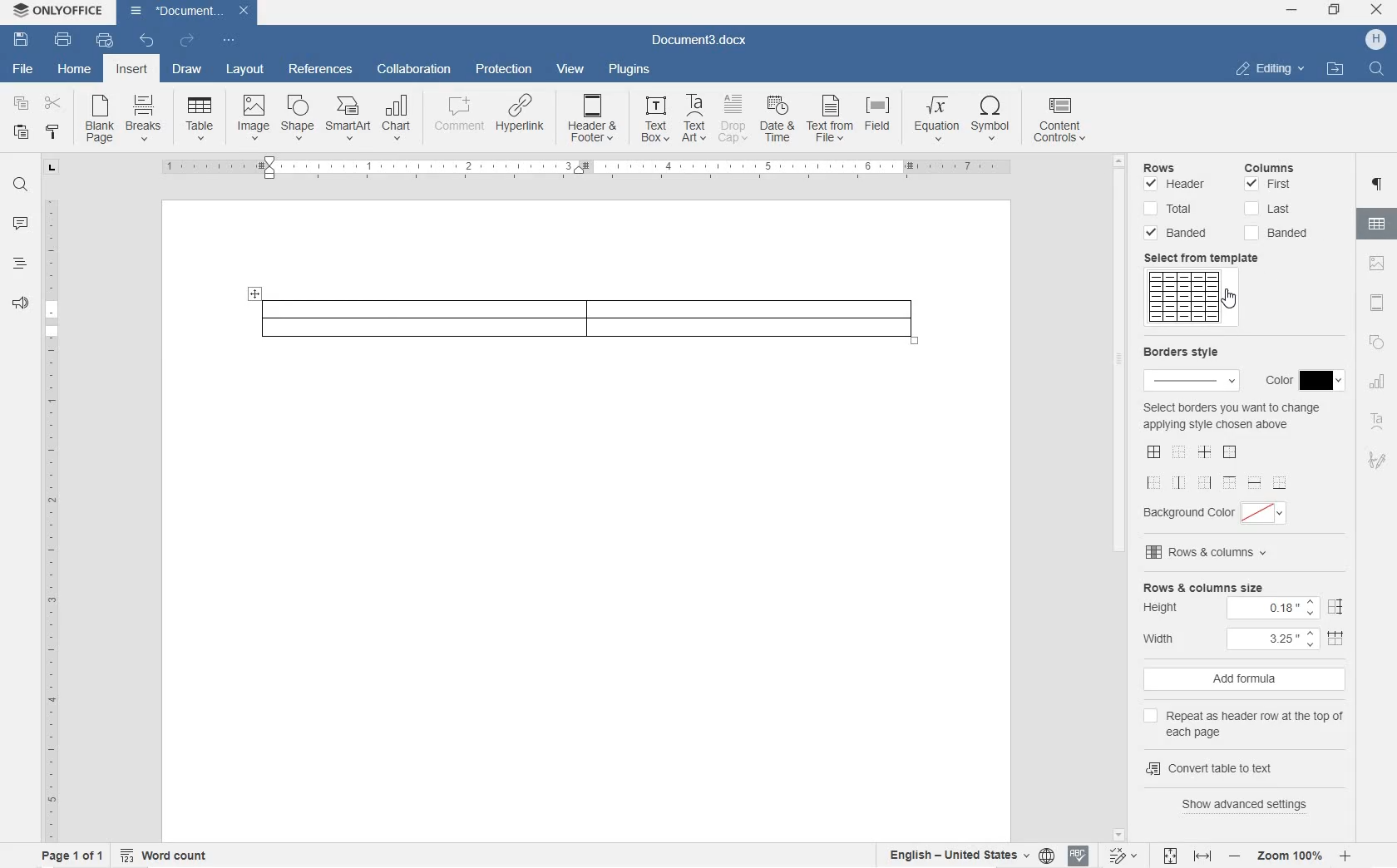 The height and width of the screenshot is (868, 1397). Describe the element at coordinates (1379, 264) in the screenshot. I see `IMAGE` at that location.